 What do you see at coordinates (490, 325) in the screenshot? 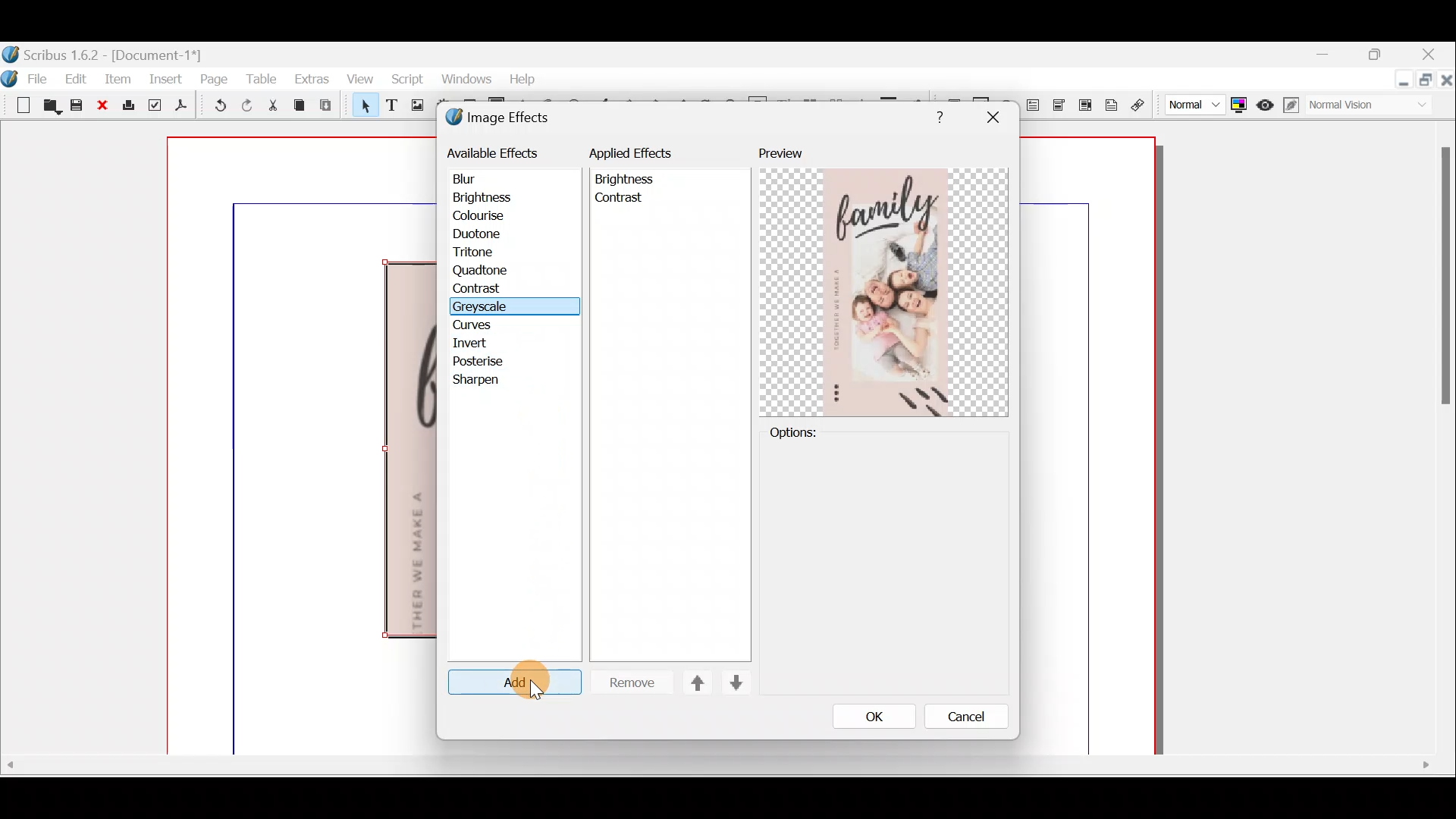
I see `curves` at bounding box center [490, 325].